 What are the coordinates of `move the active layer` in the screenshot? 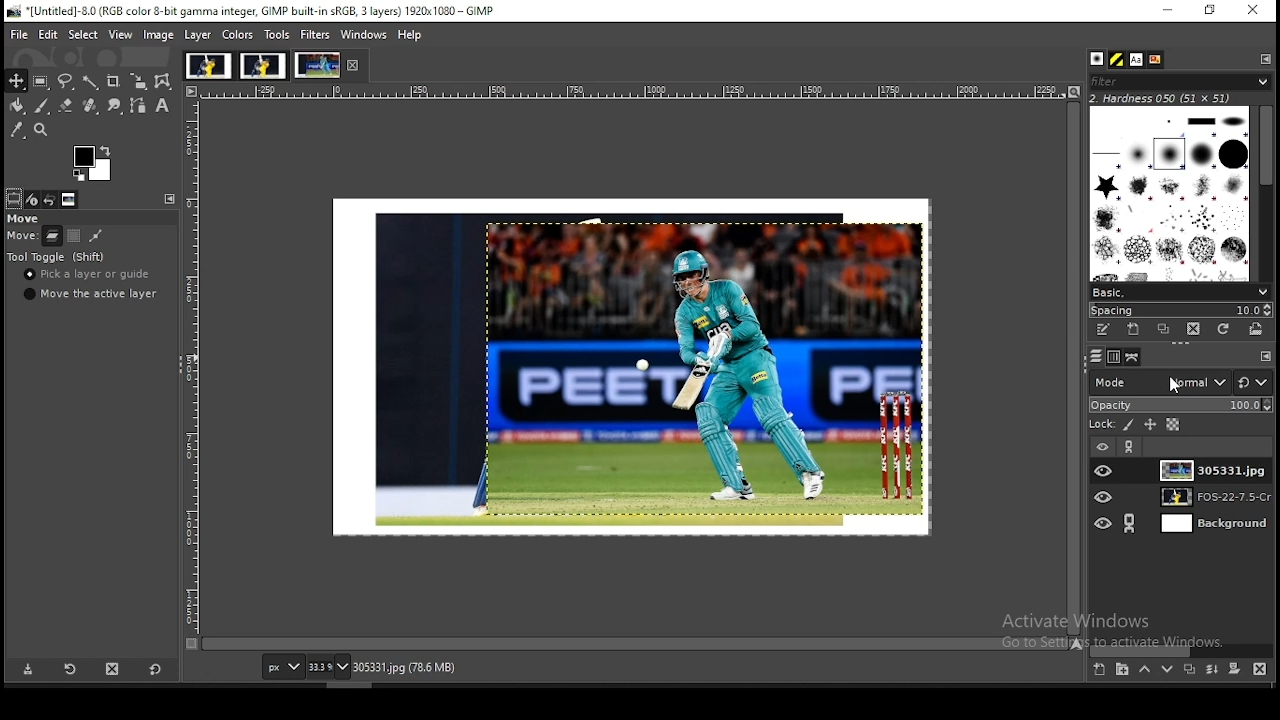 It's located at (91, 294).